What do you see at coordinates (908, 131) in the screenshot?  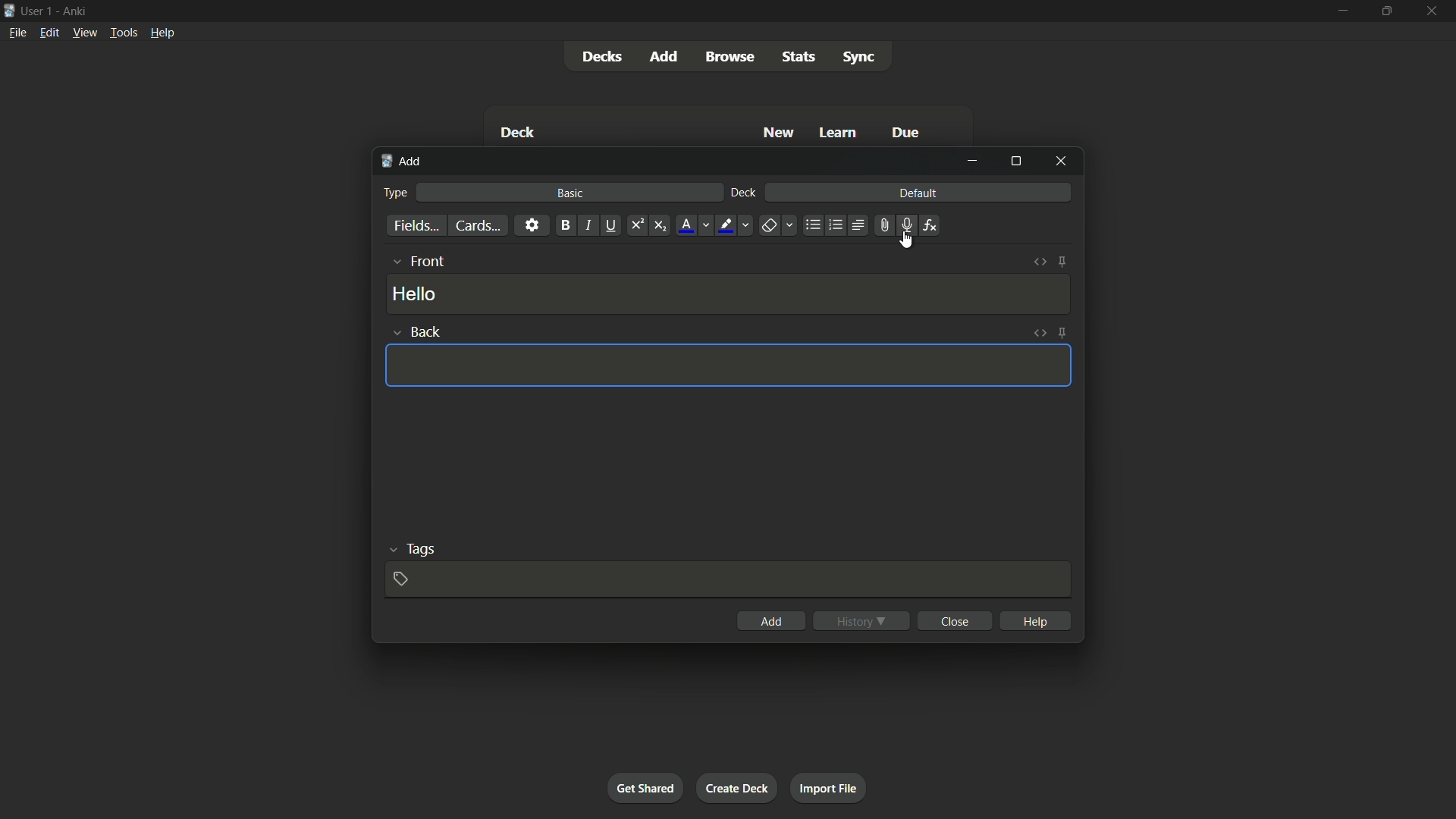 I see `due` at bounding box center [908, 131].